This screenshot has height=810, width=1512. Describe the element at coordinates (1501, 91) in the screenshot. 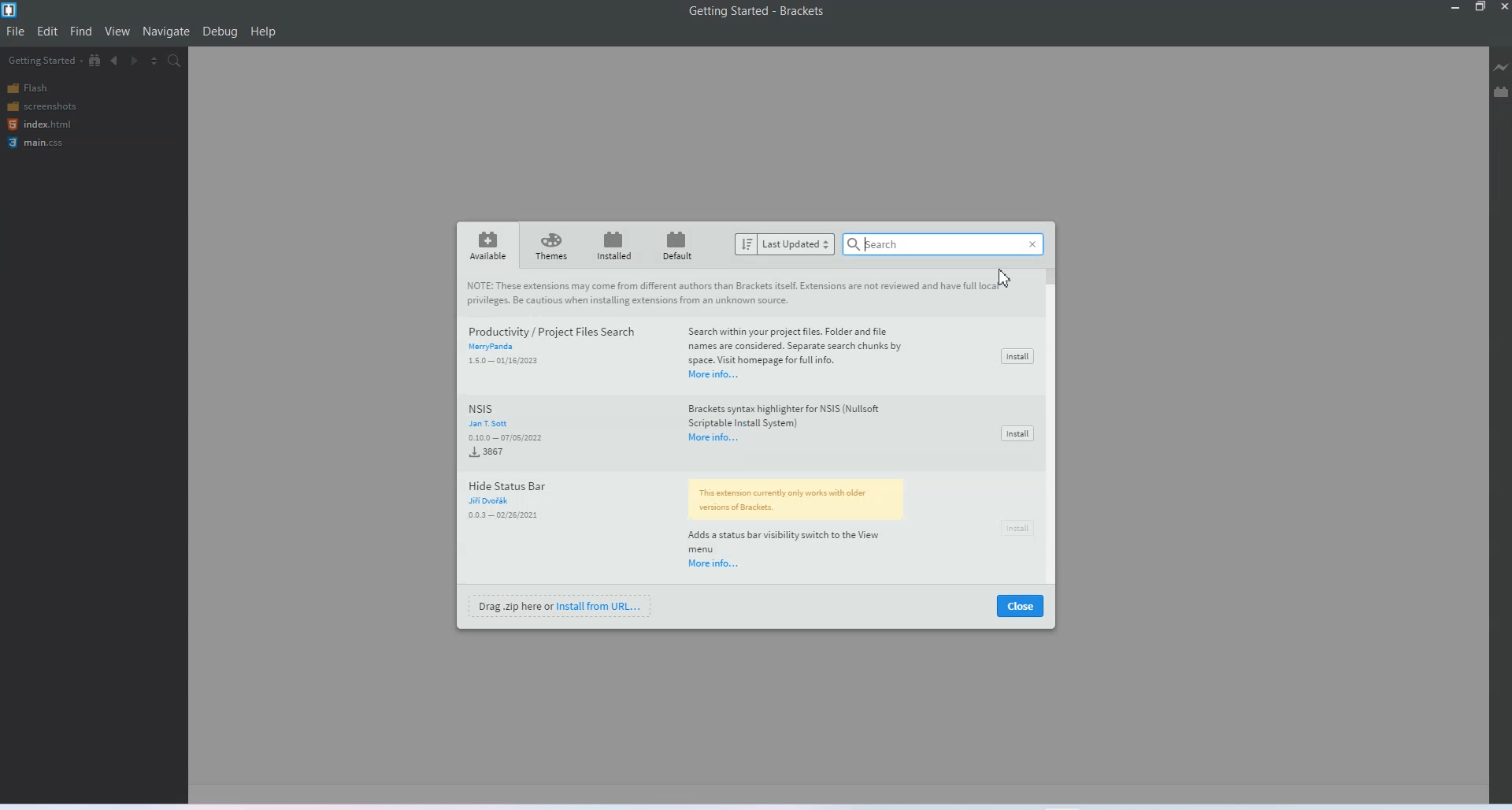

I see `Extension manager` at that location.